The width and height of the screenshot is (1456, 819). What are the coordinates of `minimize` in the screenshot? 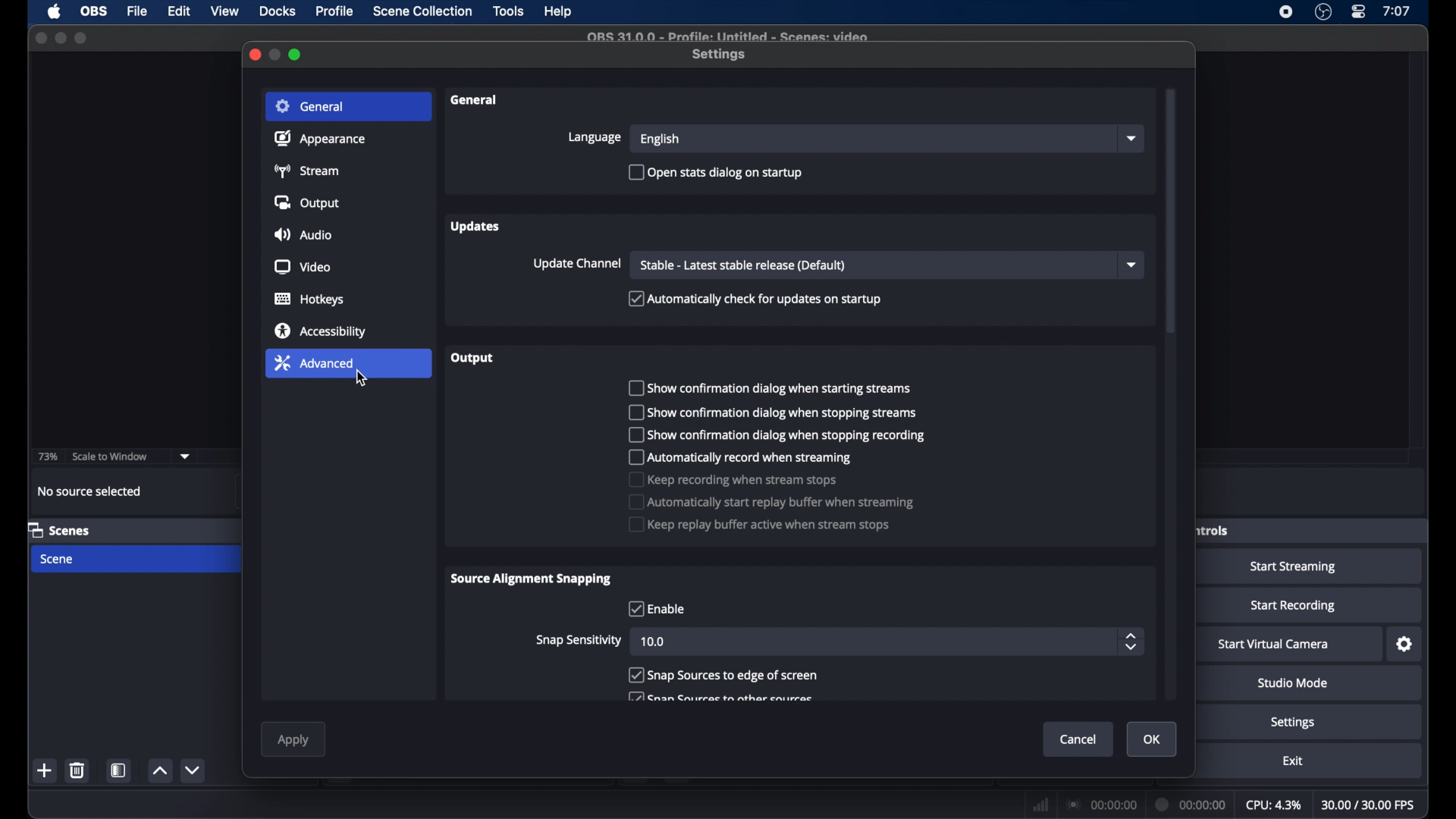 It's located at (274, 54).